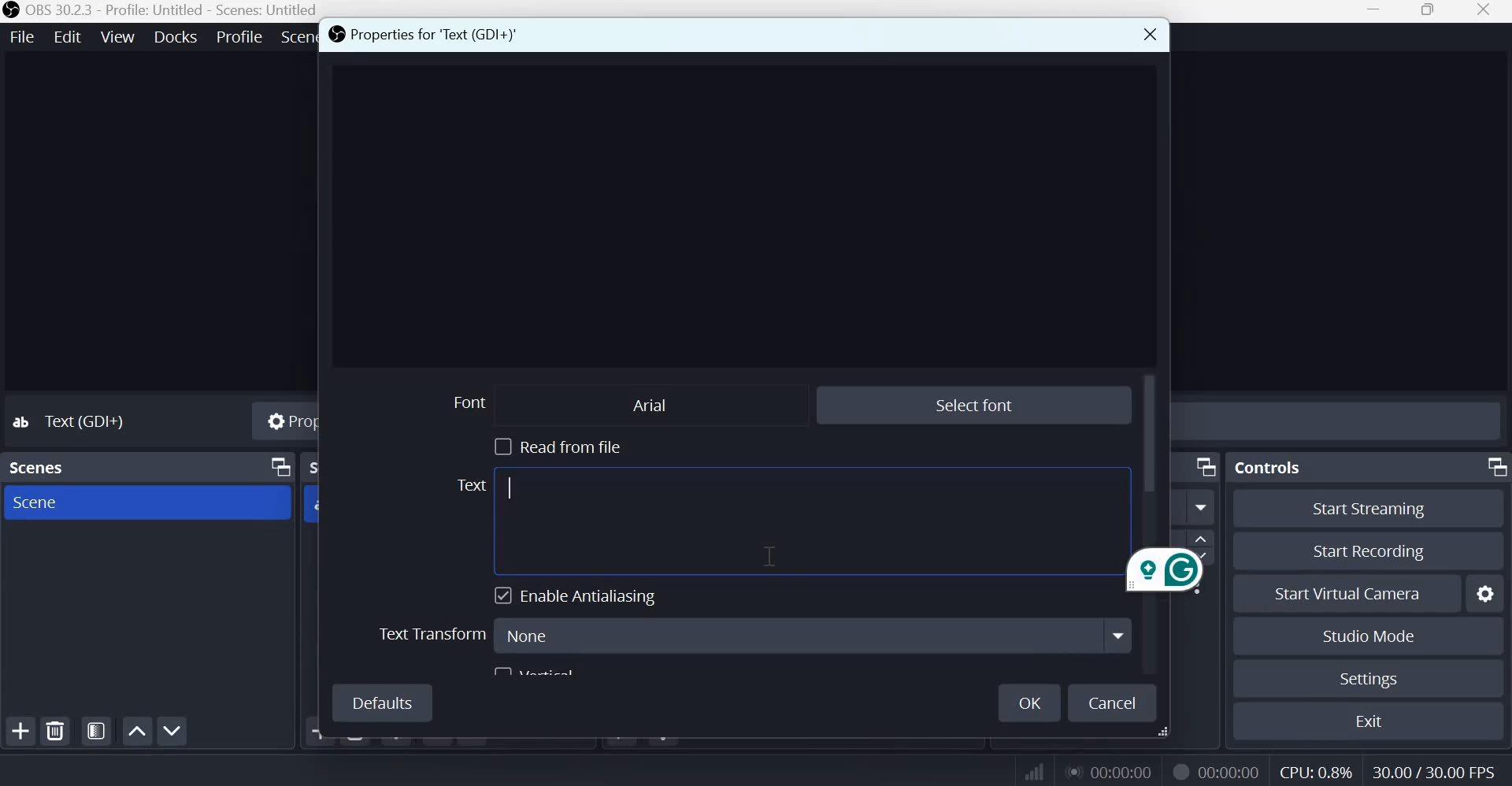 The image size is (1512, 786). I want to click on cursor, so click(773, 553).